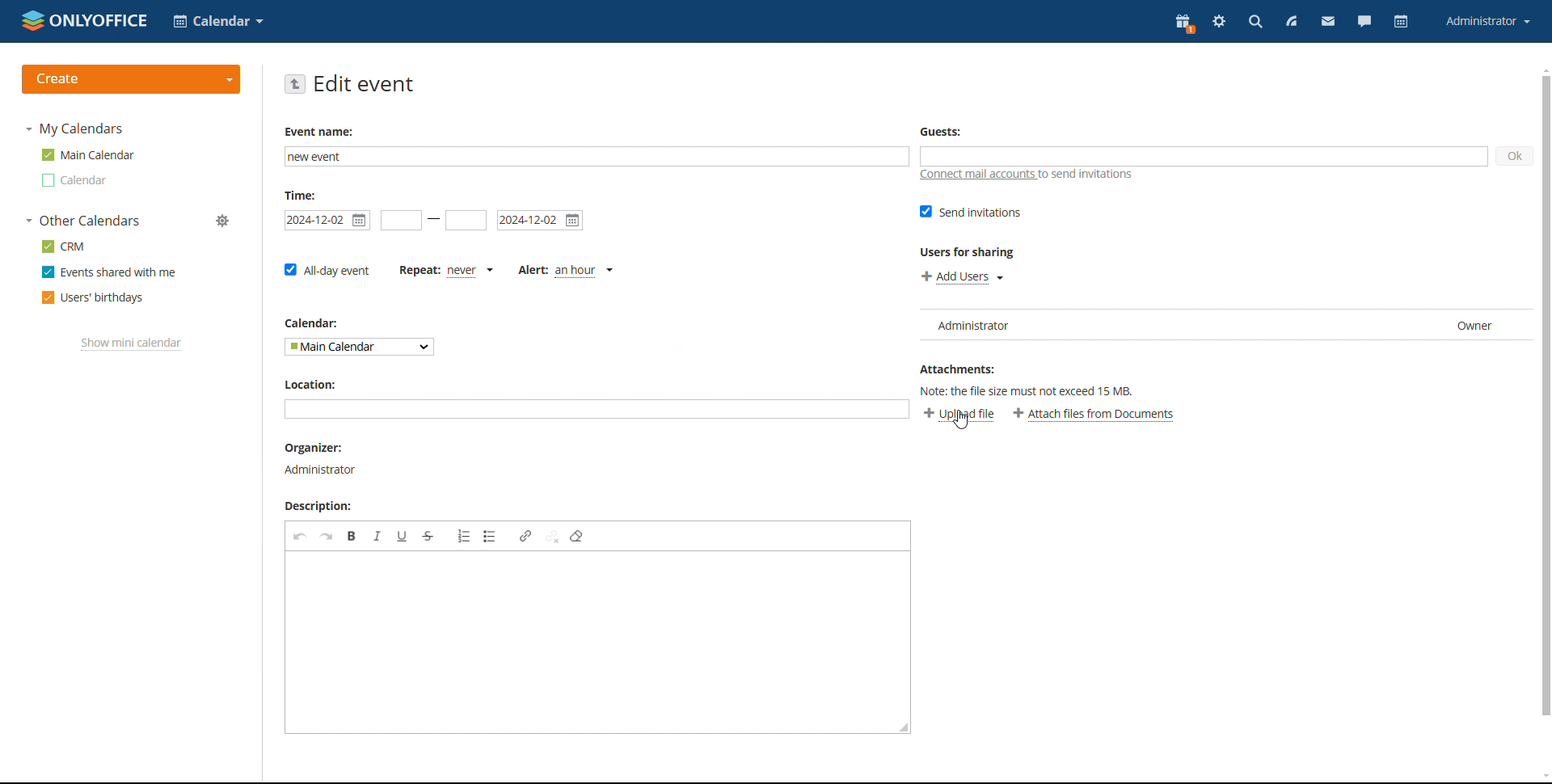  What do you see at coordinates (491, 536) in the screenshot?
I see `insert/remove bulleted list` at bounding box center [491, 536].